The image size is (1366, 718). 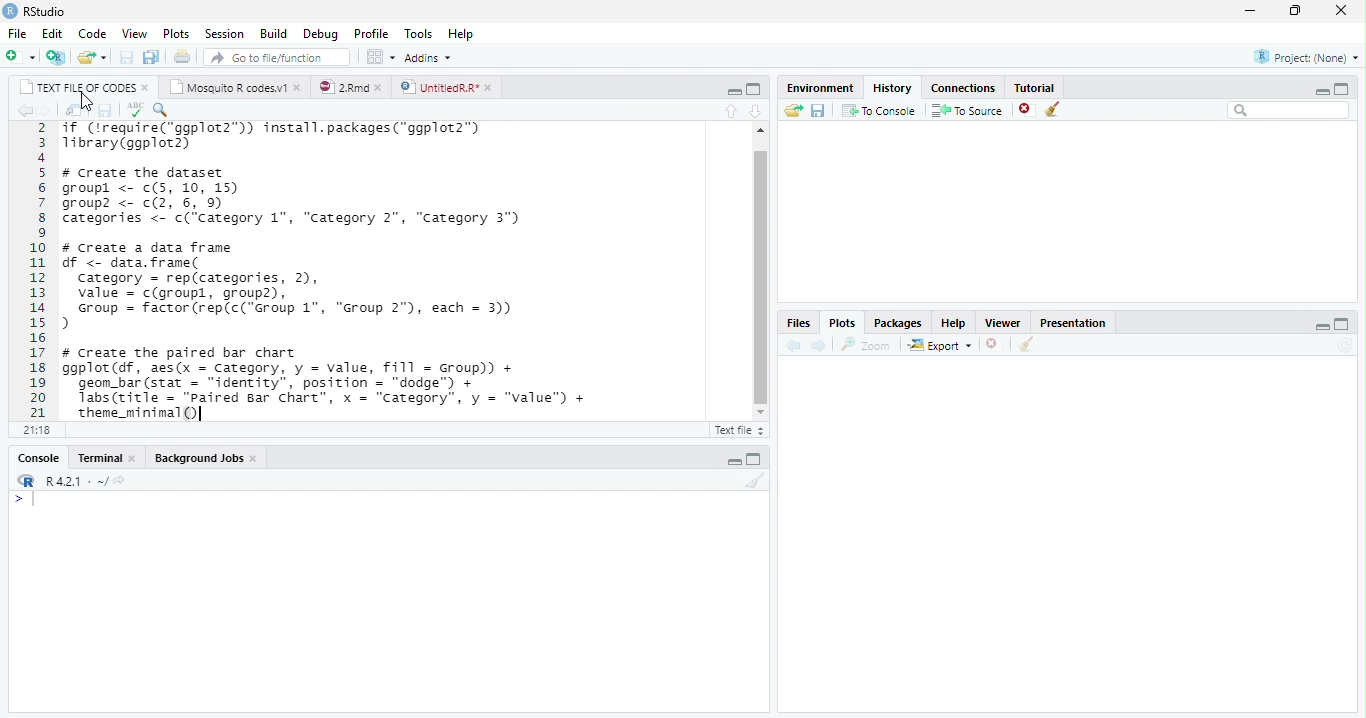 I want to click on minimize, so click(x=1323, y=89).